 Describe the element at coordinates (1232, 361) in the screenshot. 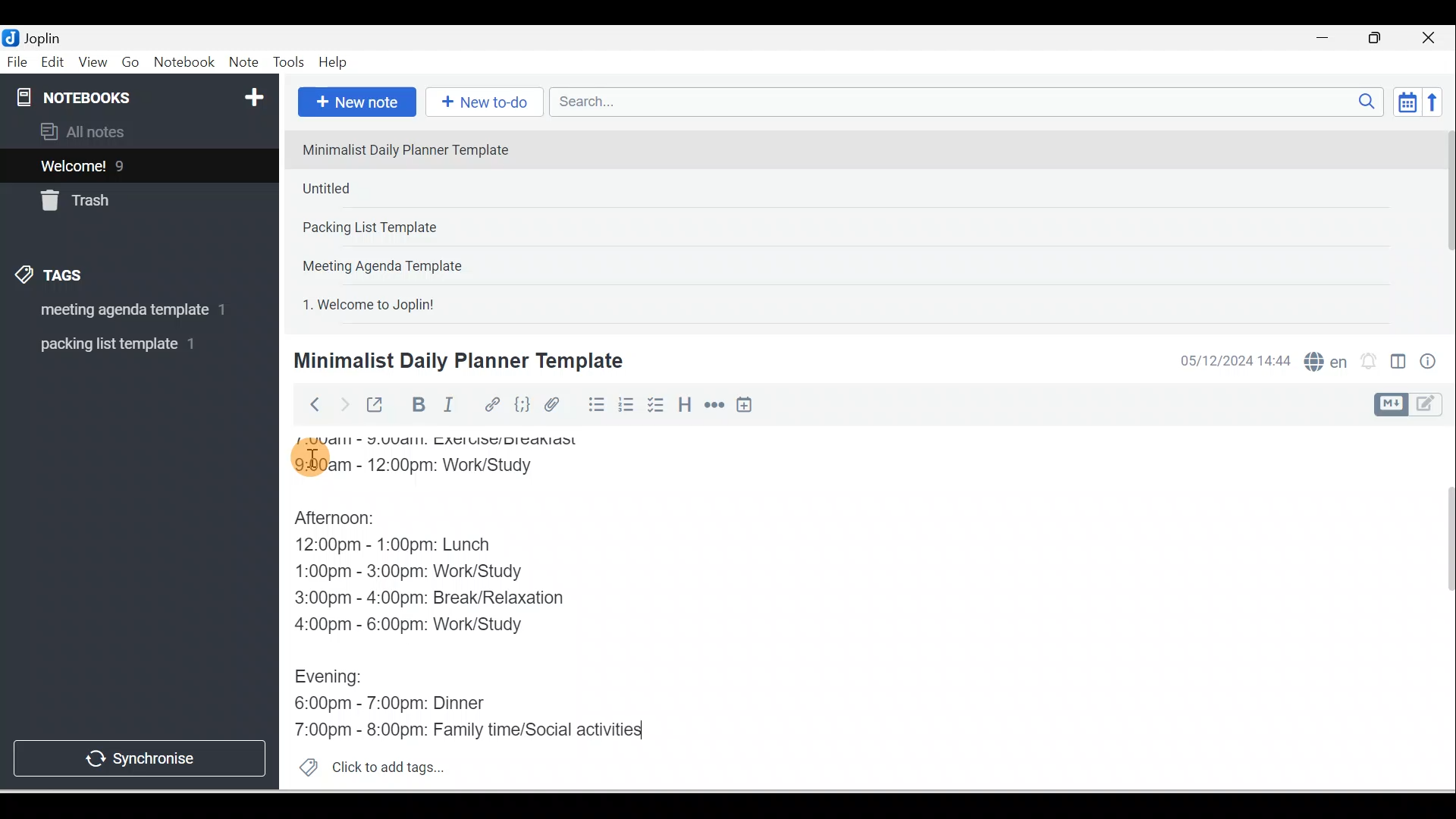

I see `Date & time` at that location.